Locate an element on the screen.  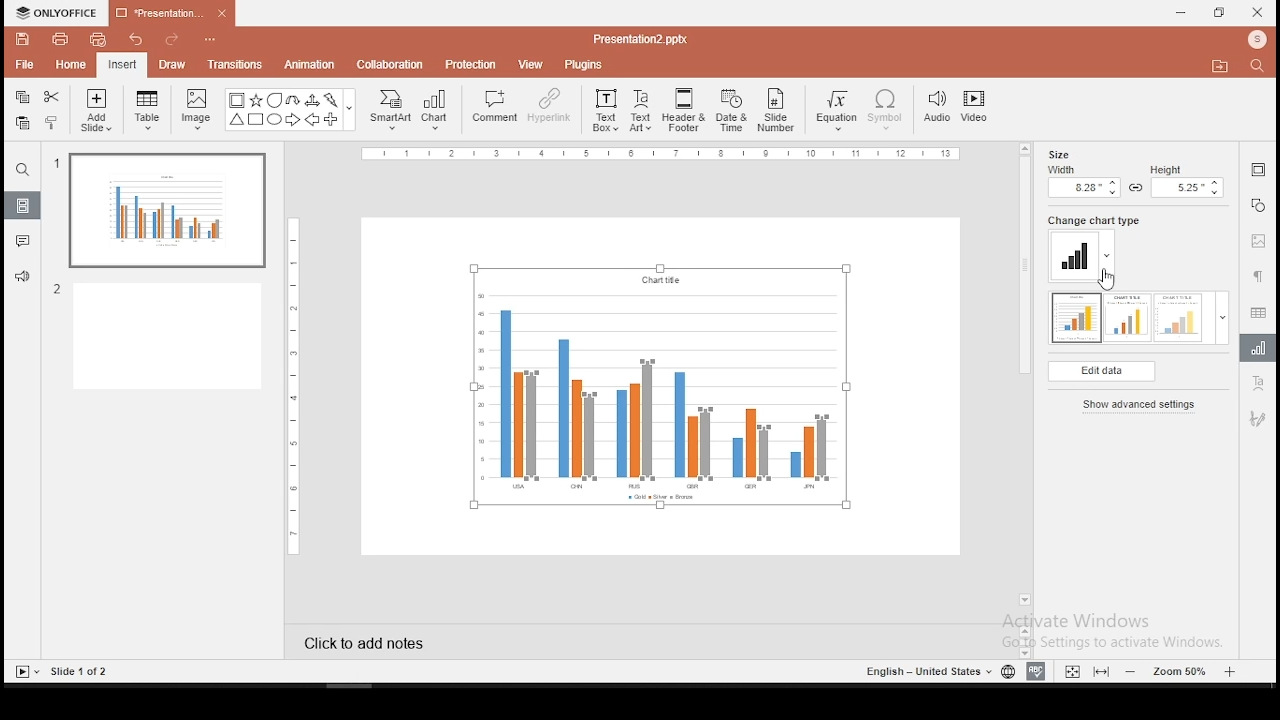
support and feedback is located at coordinates (22, 279).